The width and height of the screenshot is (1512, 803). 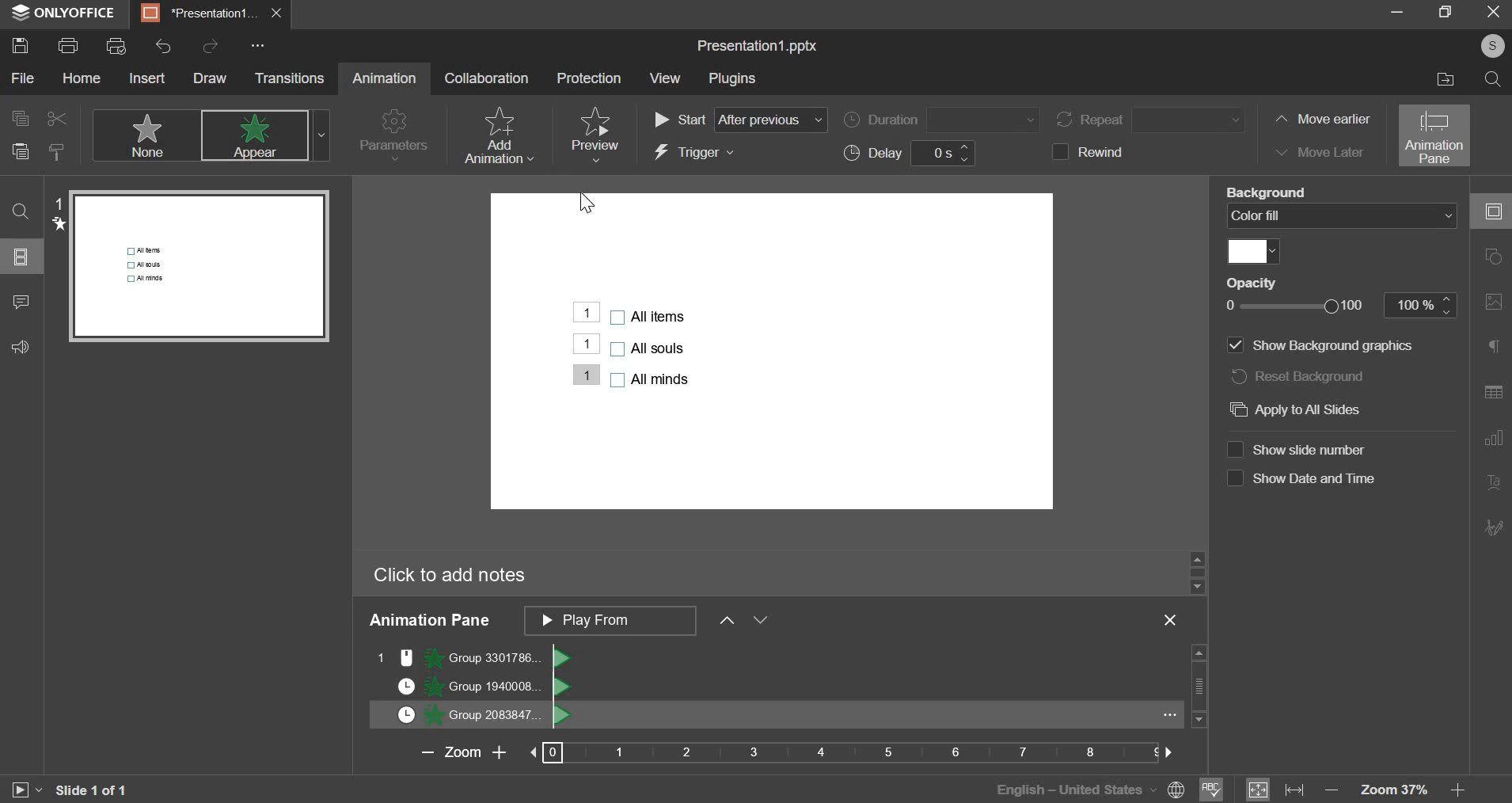 I want to click on , so click(x=586, y=313).